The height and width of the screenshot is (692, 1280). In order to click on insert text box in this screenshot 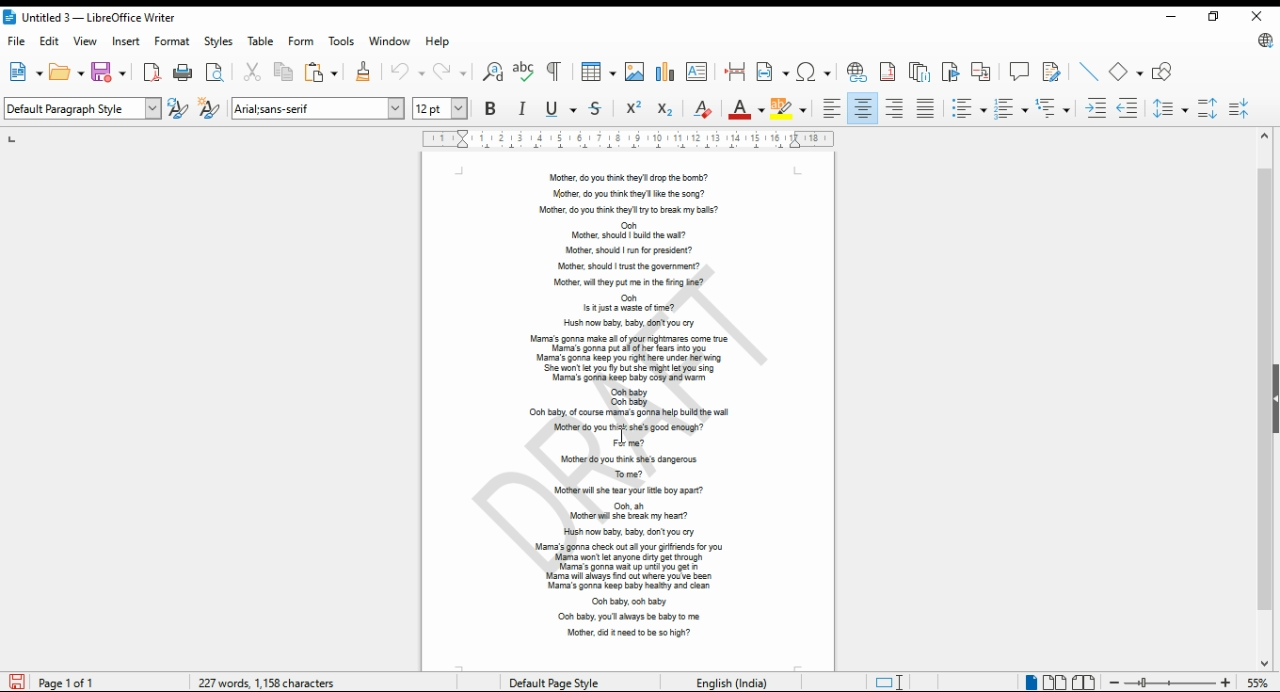, I will do `click(698, 71)`.